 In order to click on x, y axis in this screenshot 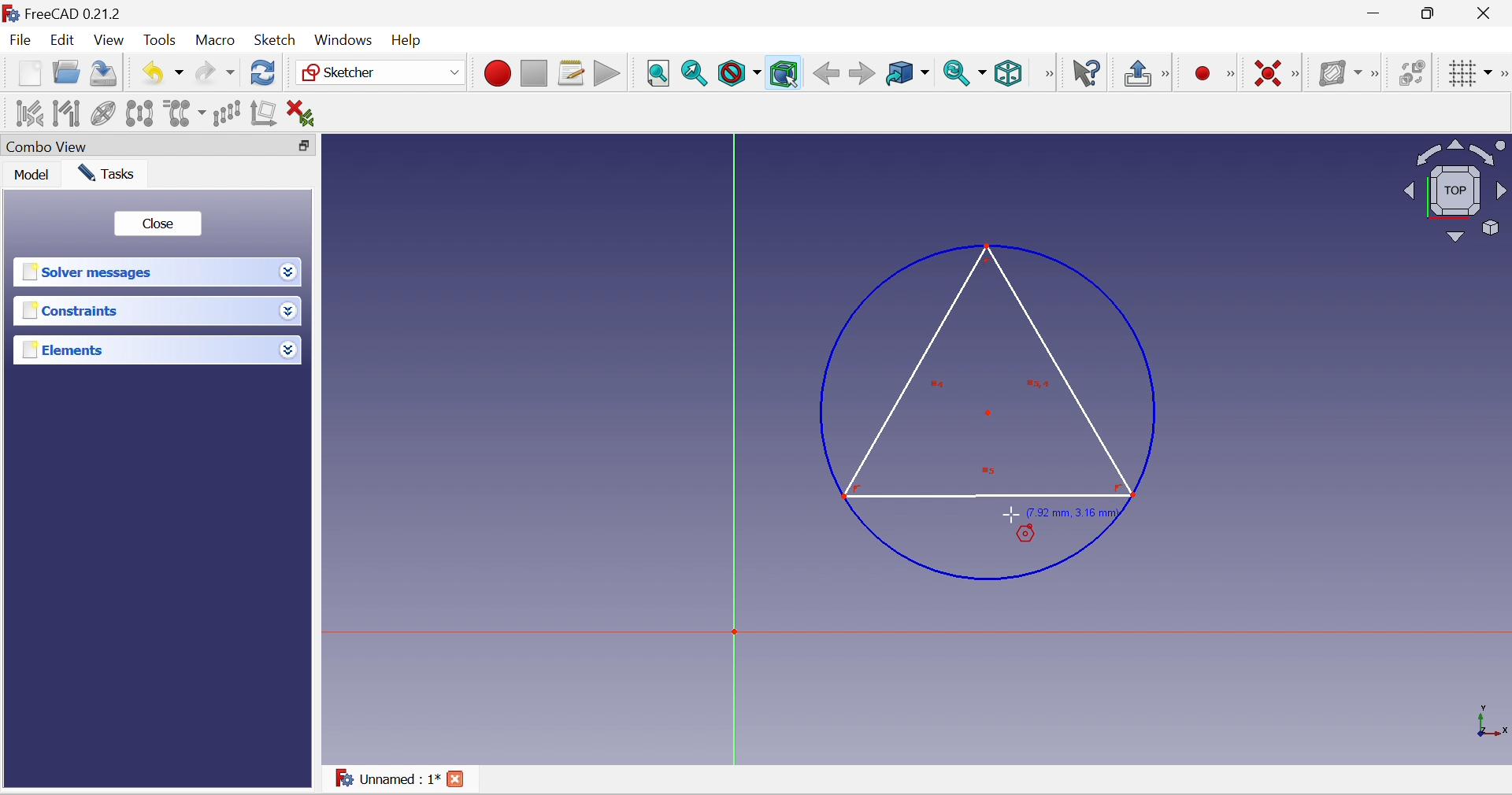, I will do `click(1488, 720)`.